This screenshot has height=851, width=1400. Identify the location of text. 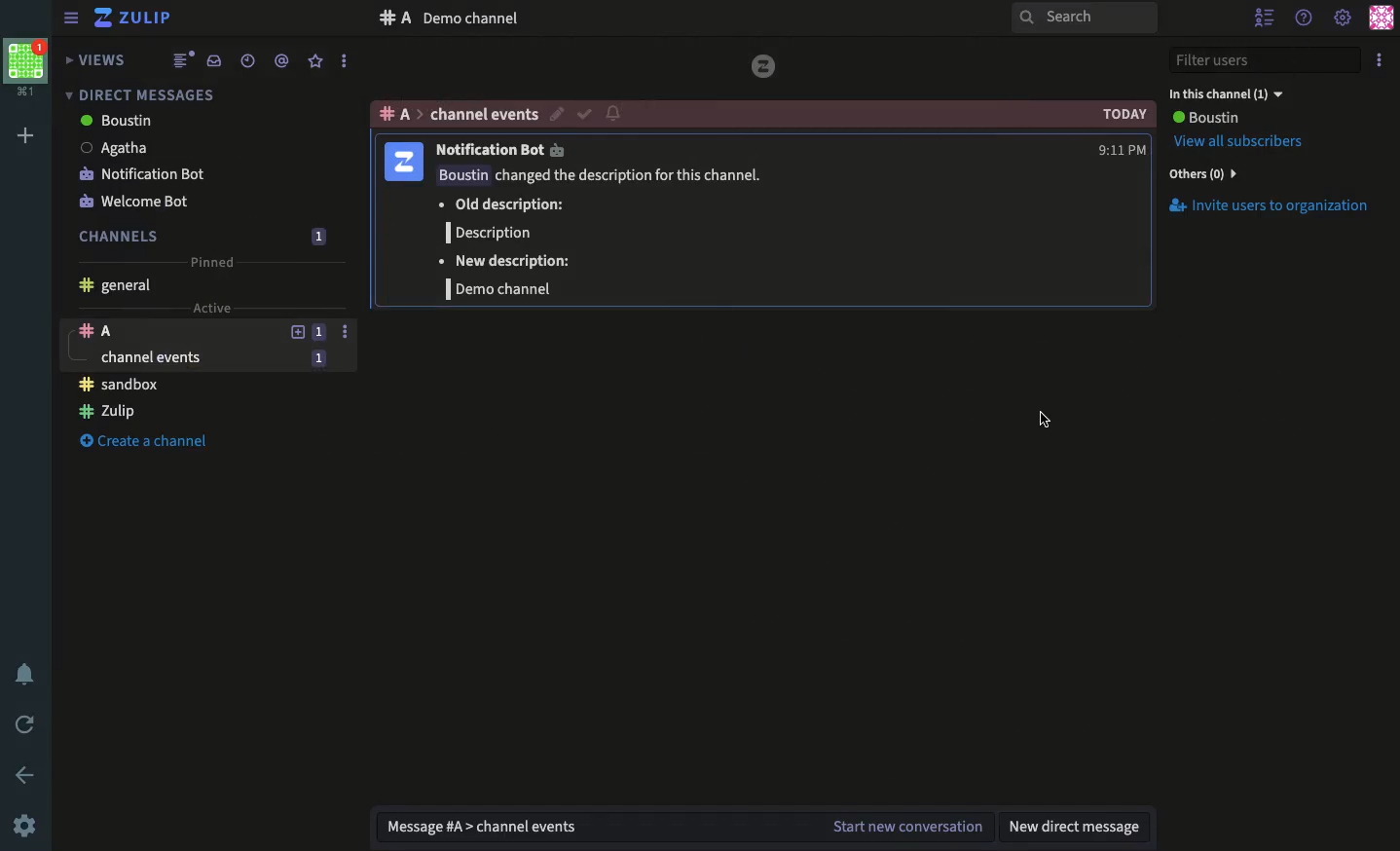
(607, 234).